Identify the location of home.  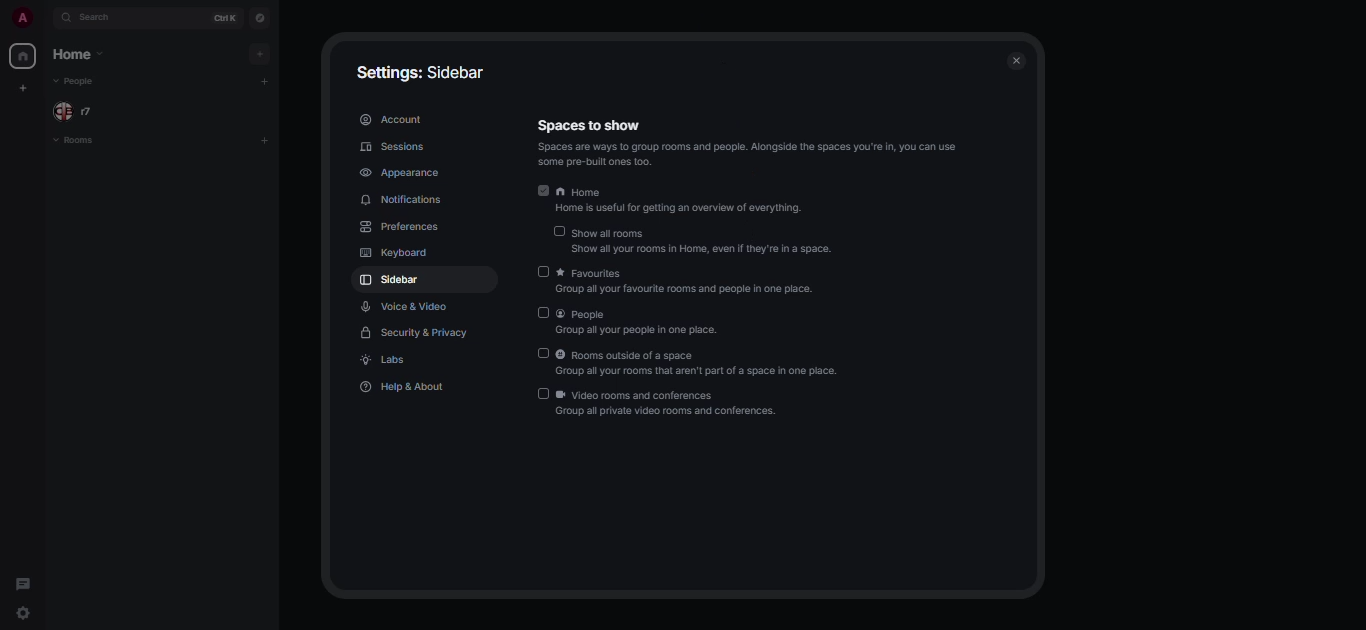
(22, 55).